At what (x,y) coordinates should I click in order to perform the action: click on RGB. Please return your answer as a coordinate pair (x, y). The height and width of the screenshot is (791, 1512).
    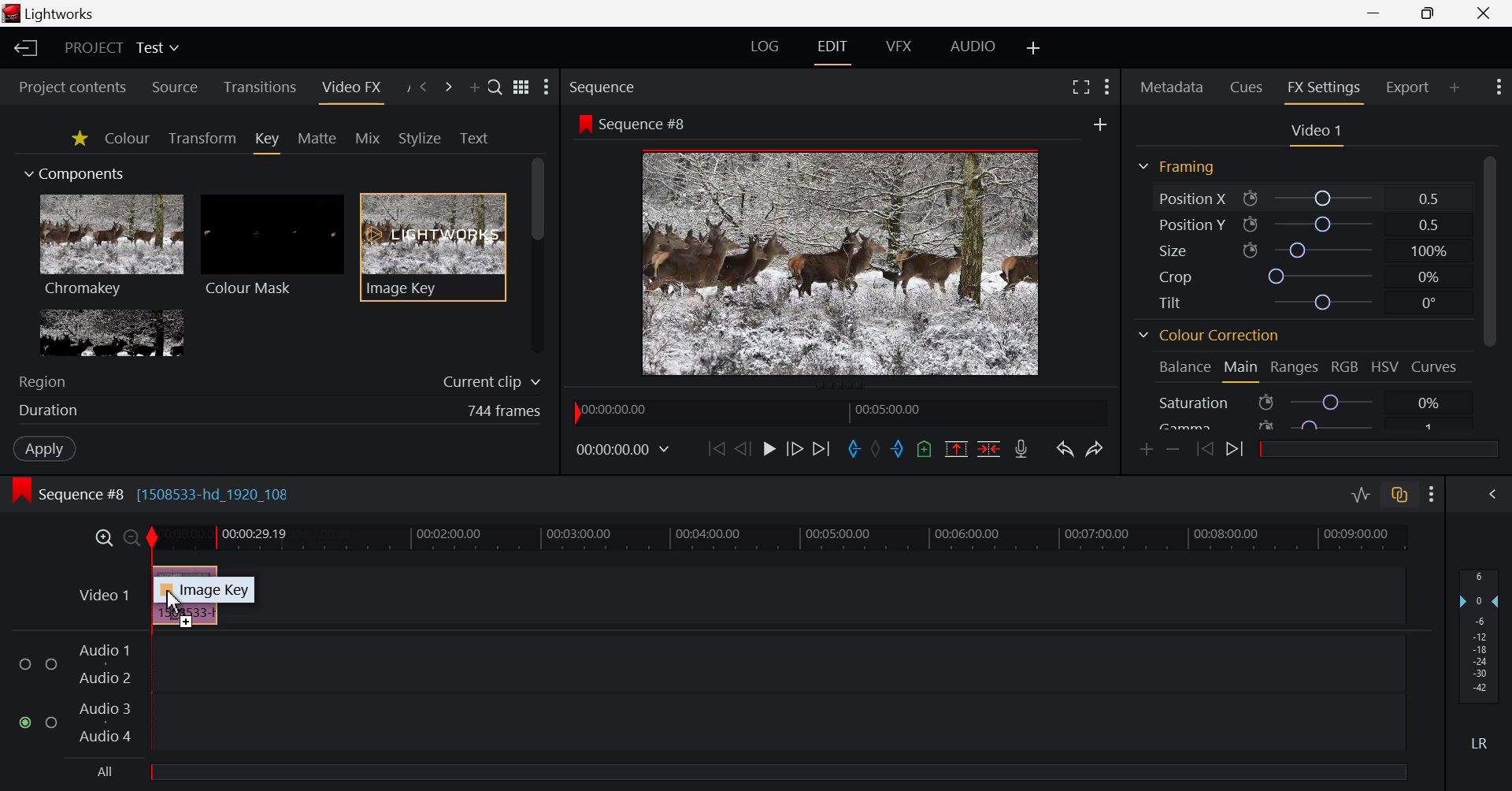
    Looking at the image, I should click on (1346, 369).